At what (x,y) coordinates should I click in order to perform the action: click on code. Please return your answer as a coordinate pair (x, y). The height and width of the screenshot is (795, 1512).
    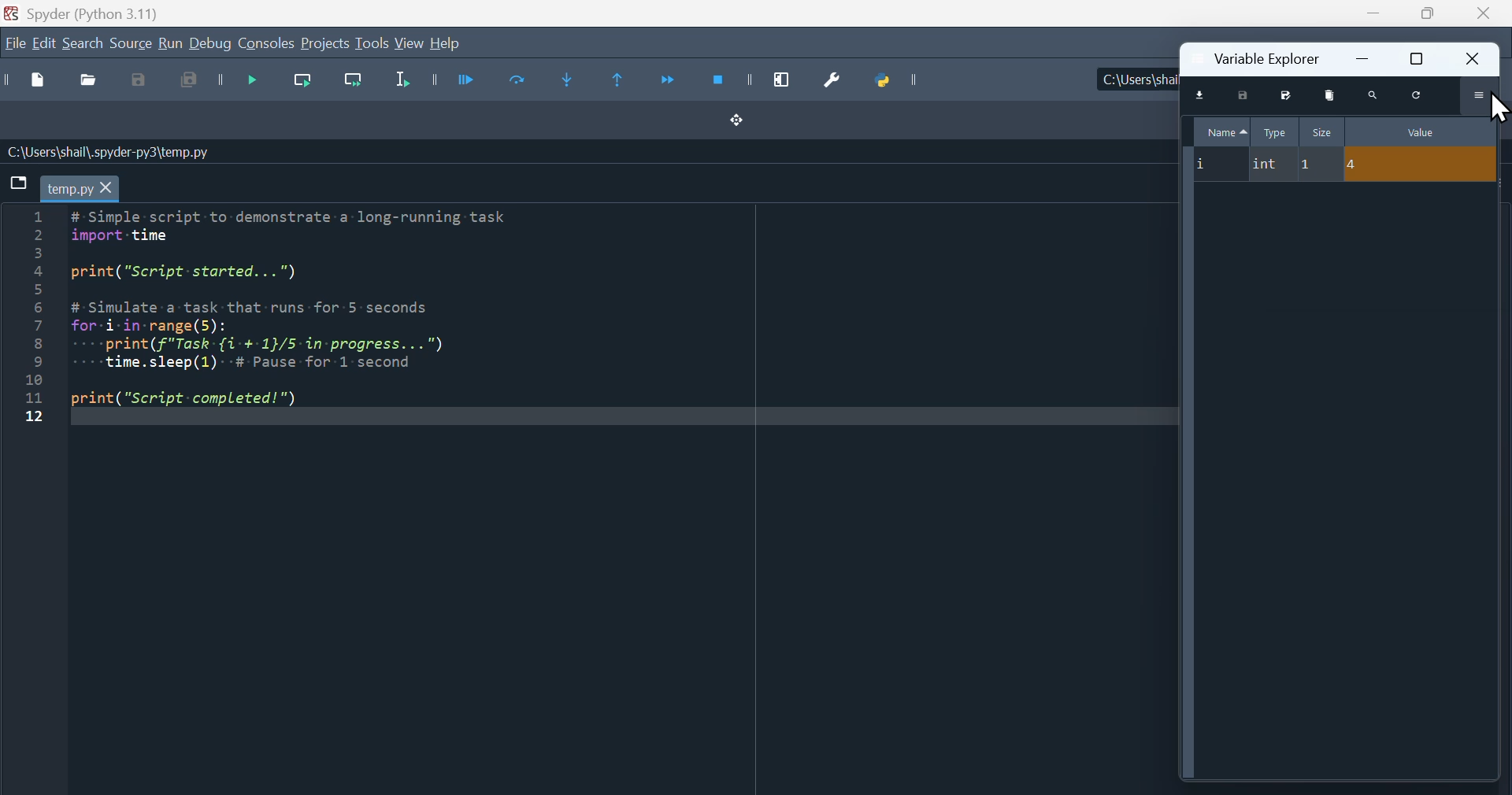
    Looking at the image, I should click on (309, 315).